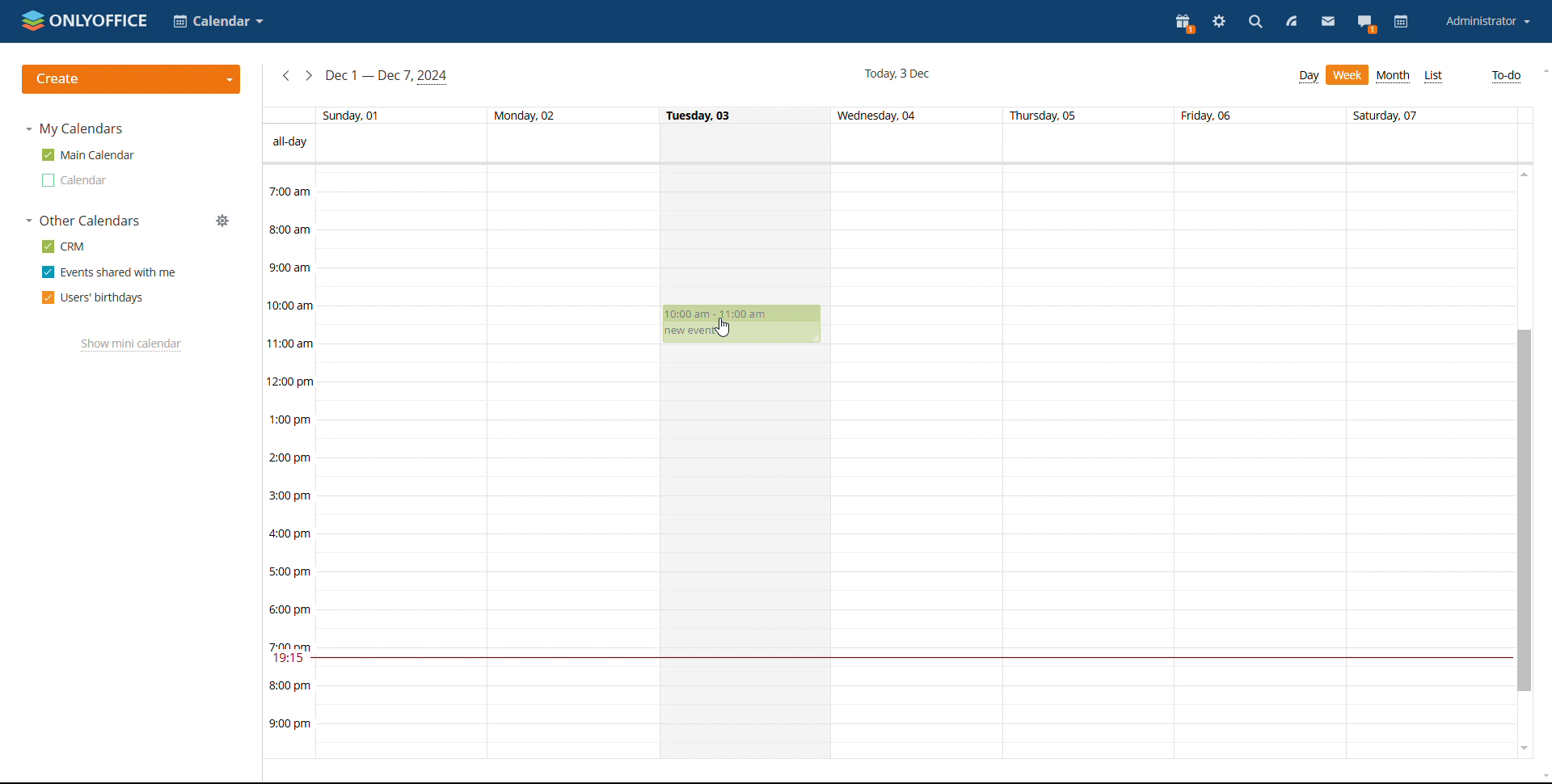  I want to click on 9:00 pm, so click(290, 725).